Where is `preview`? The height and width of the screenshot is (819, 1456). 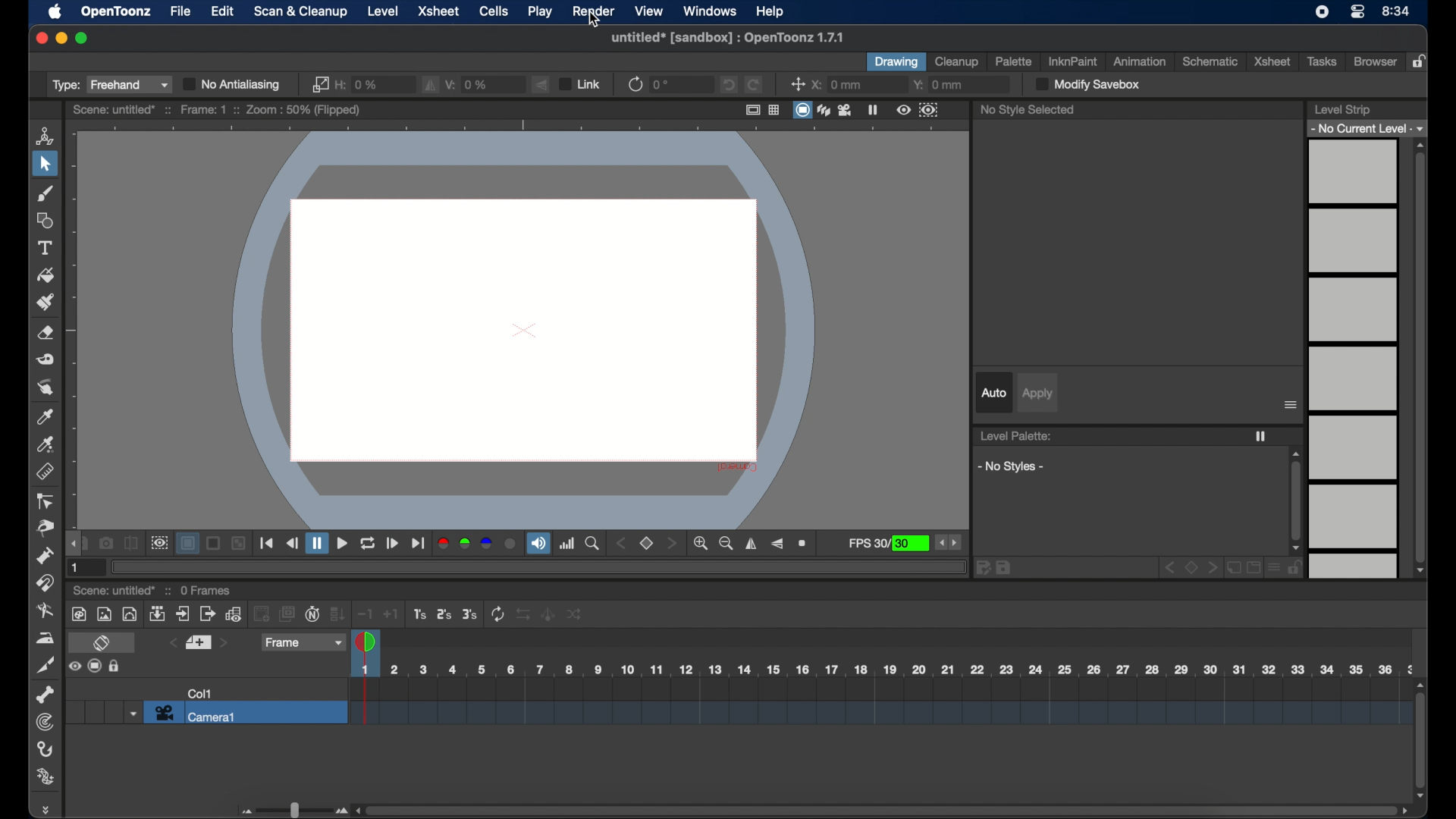
preview is located at coordinates (159, 543).